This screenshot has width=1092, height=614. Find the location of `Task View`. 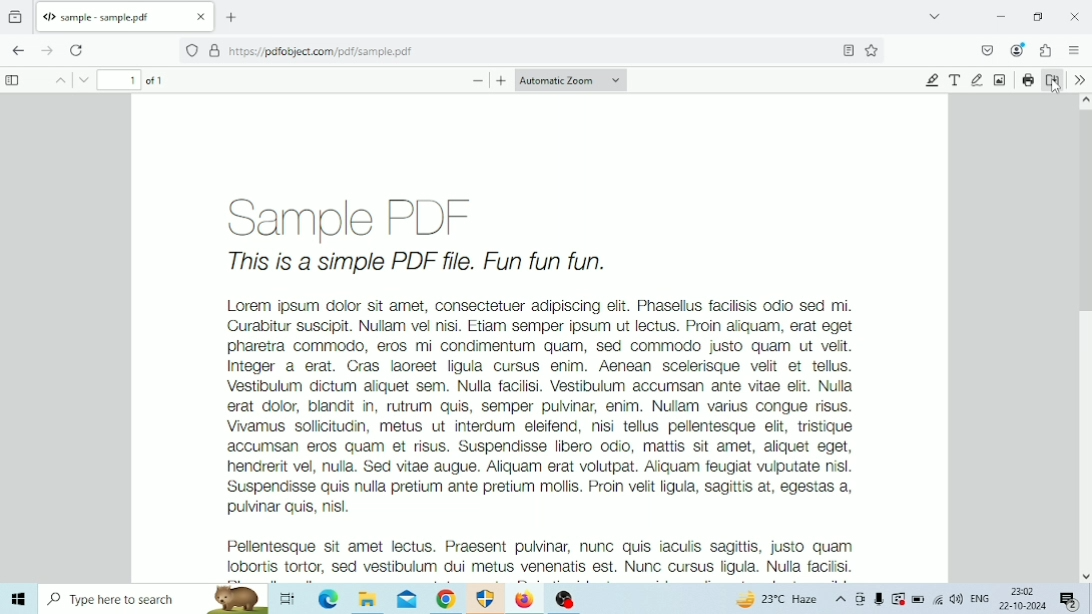

Task View is located at coordinates (286, 598).